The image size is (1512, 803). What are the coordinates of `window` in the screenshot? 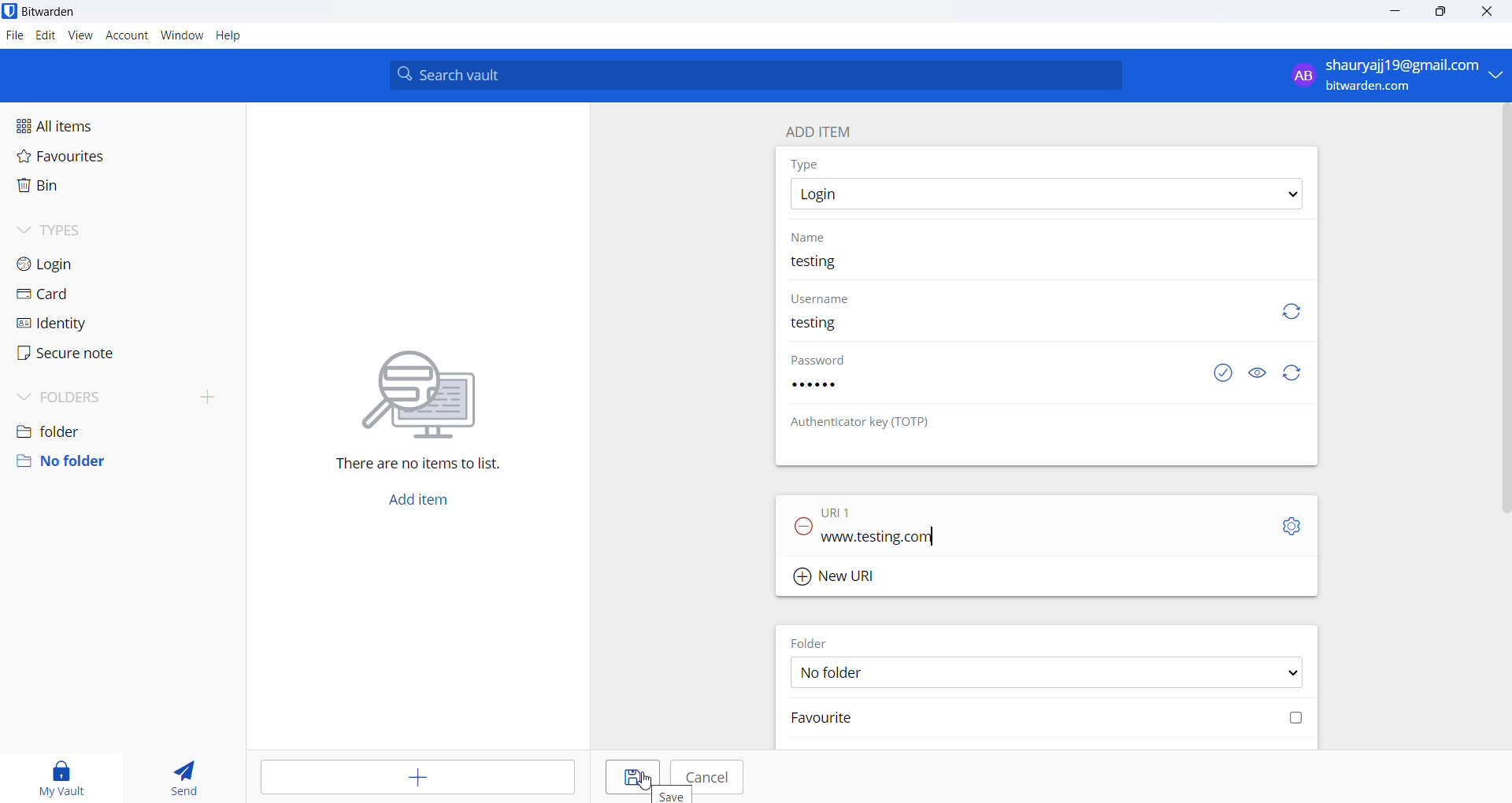 It's located at (182, 35).